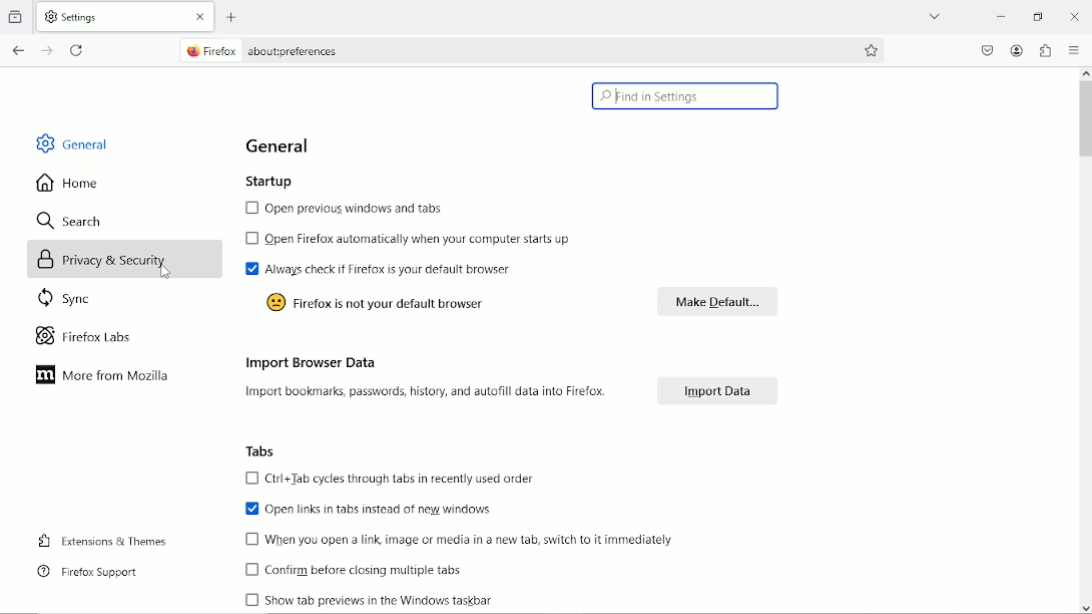 This screenshot has height=614, width=1092. Describe the element at coordinates (1018, 50) in the screenshot. I see `account` at that location.